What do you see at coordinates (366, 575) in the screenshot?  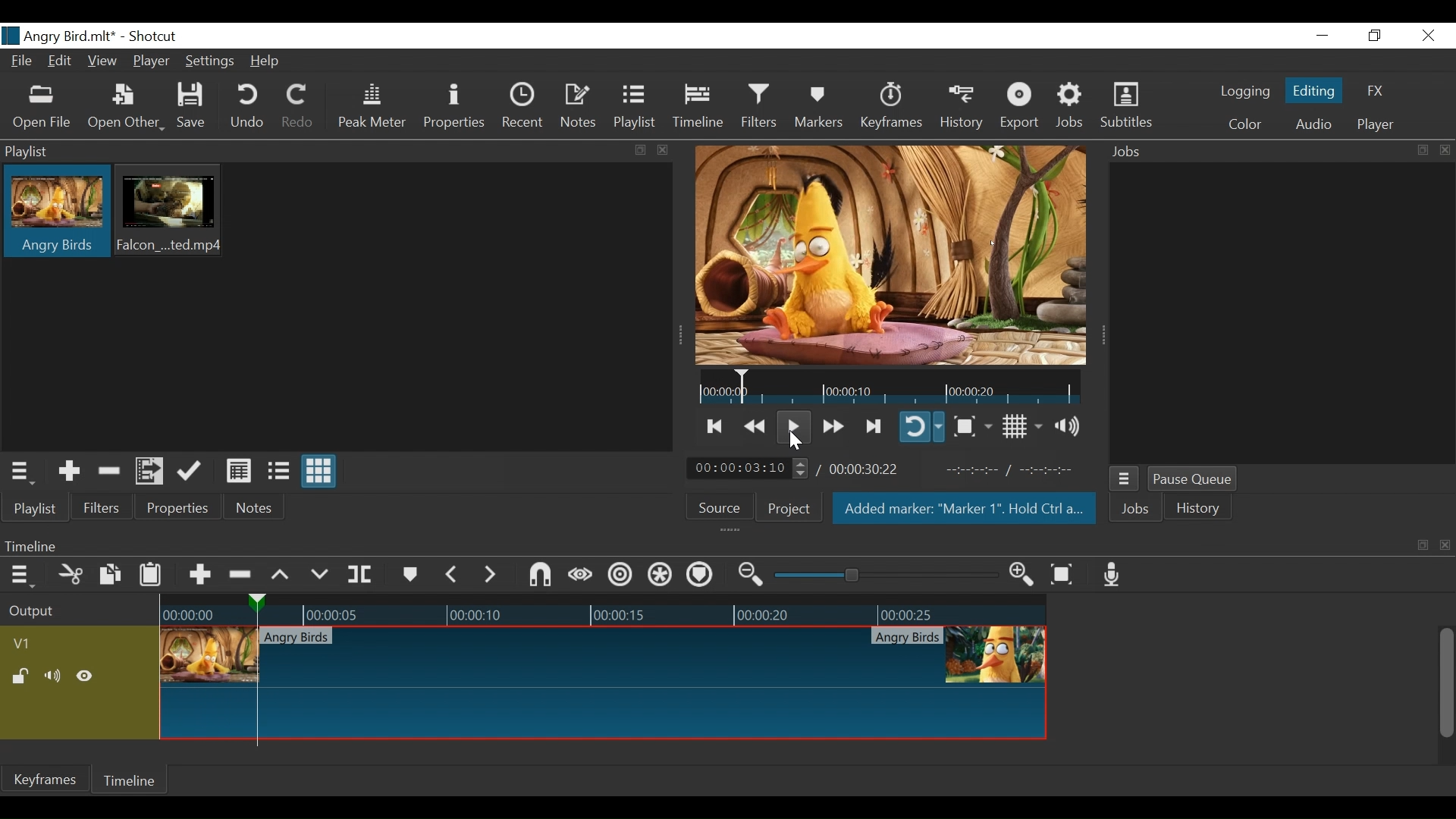 I see `Split at playhead` at bounding box center [366, 575].